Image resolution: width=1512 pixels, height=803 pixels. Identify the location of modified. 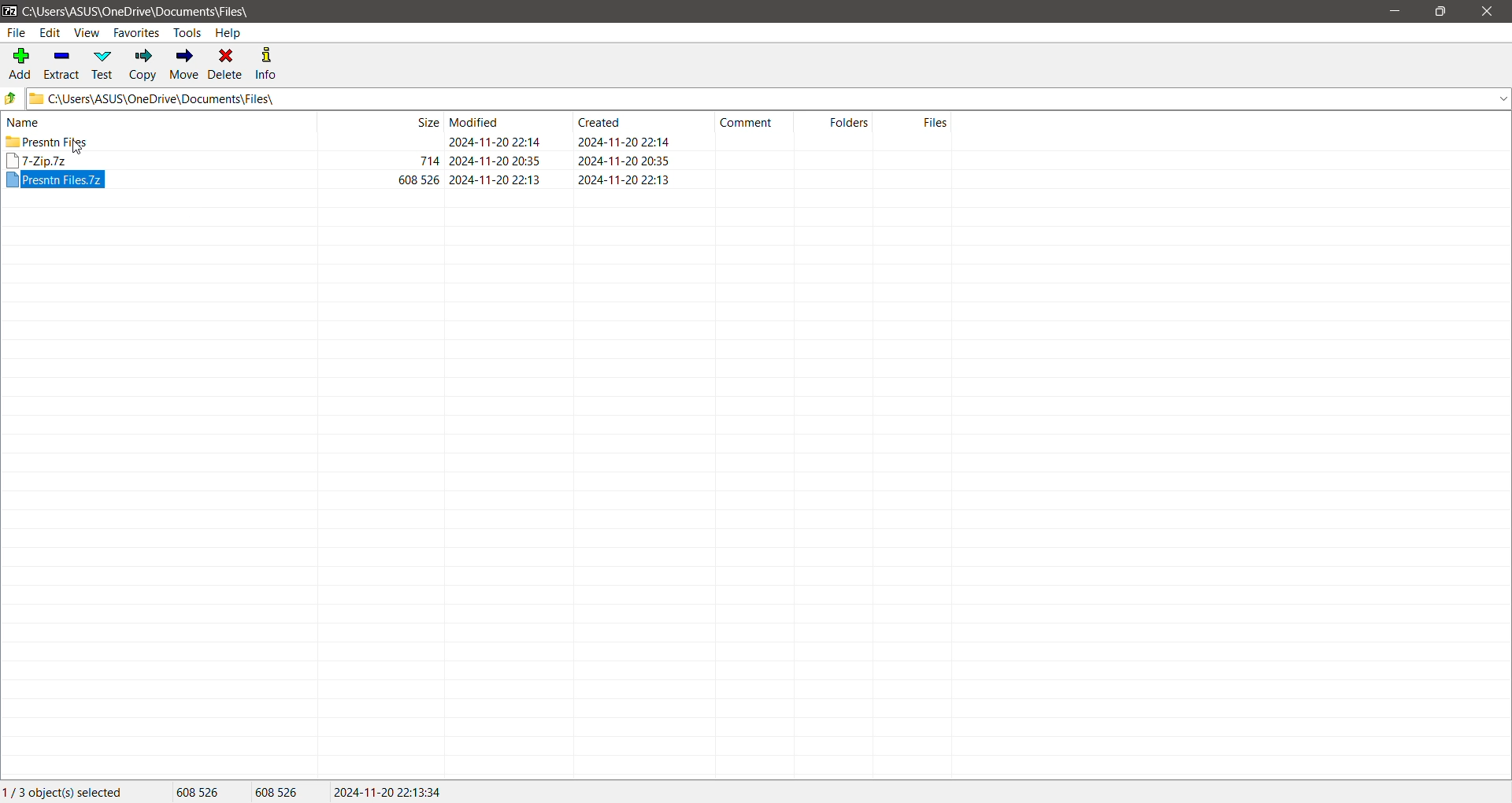
(476, 121).